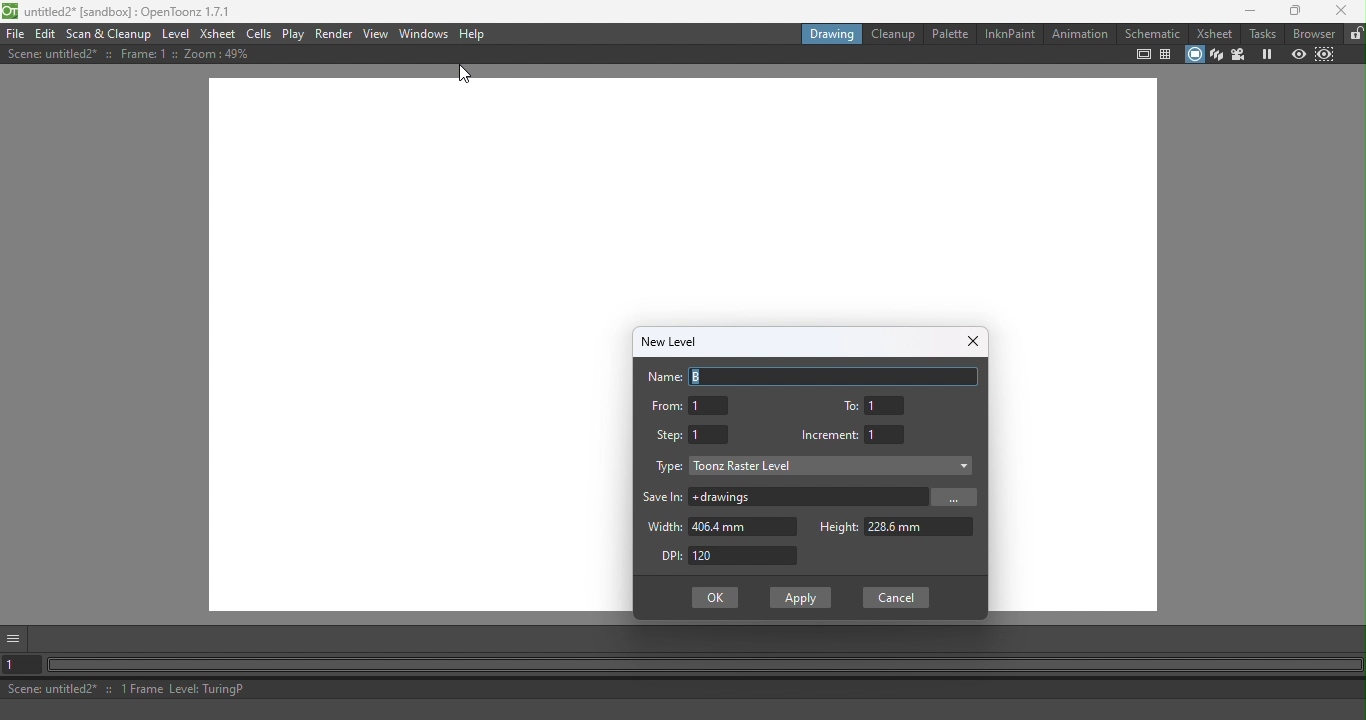 The image size is (1366, 720). What do you see at coordinates (1340, 10) in the screenshot?
I see `Close` at bounding box center [1340, 10].